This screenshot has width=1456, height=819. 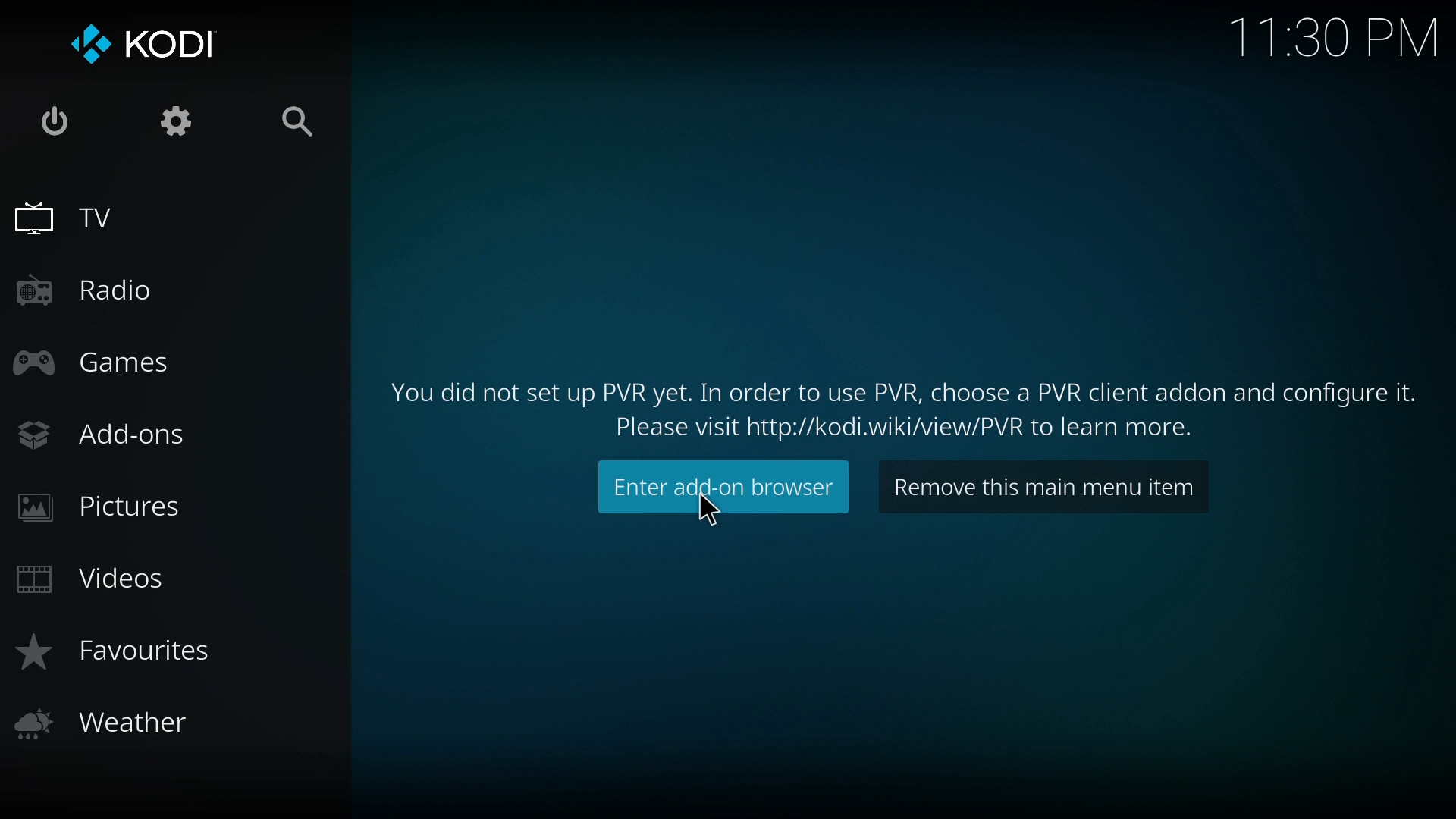 I want to click on add ons, so click(x=111, y=434).